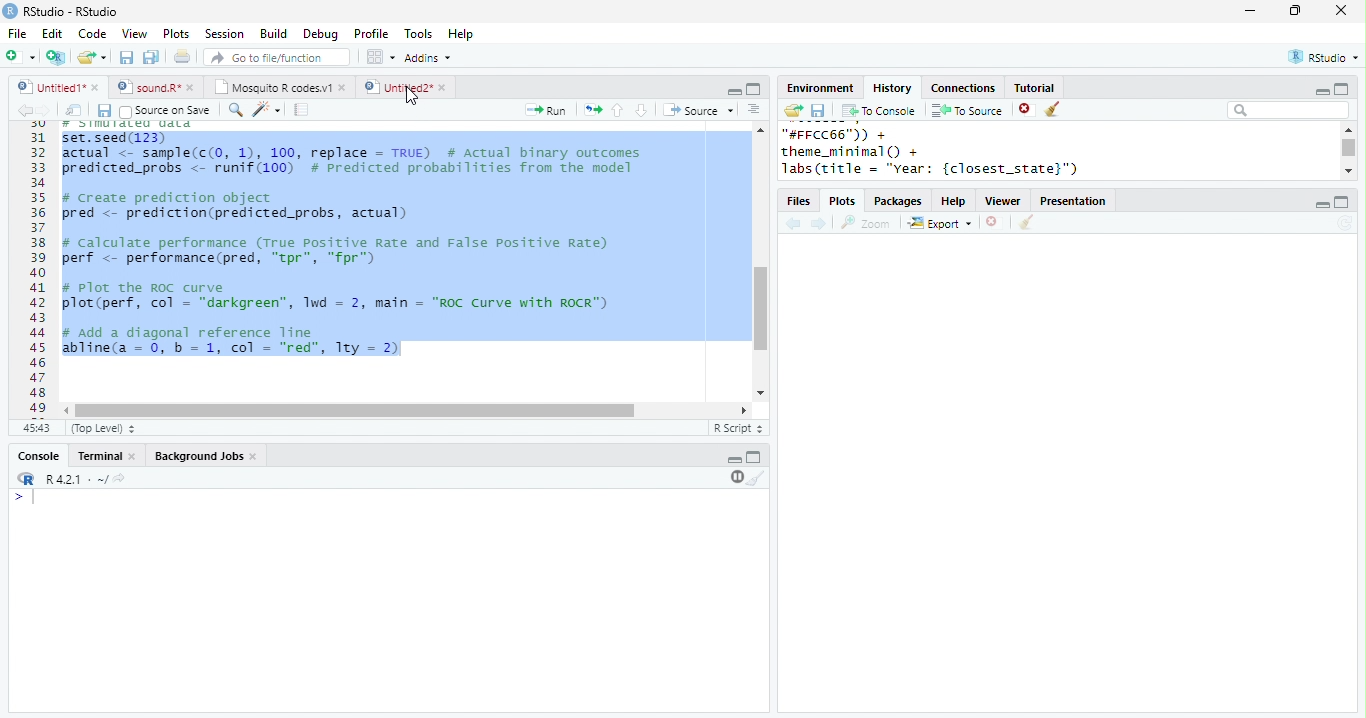  What do you see at coordinates (273, 34) in the screenshot?
I see `Build` at bounding box center [273, 34].